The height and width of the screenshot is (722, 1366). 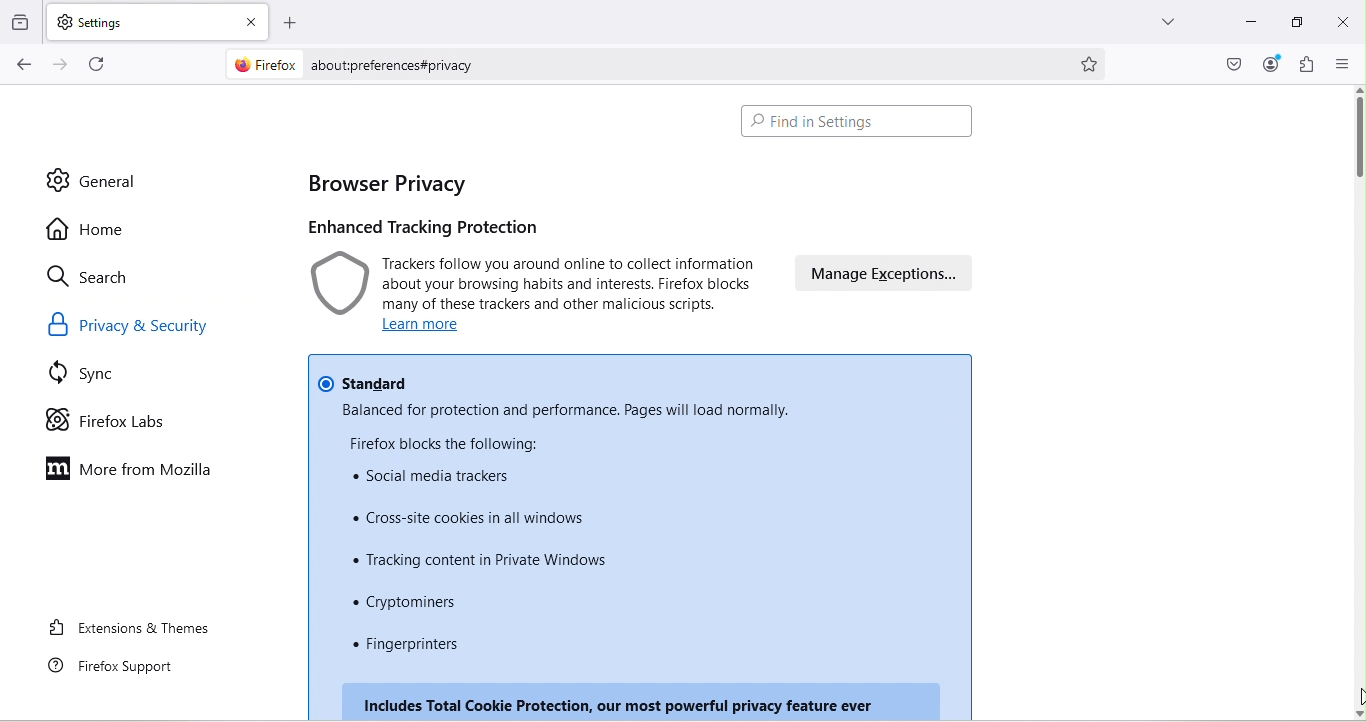 I want to click on List all tabs, so click(x=1167, y=25).